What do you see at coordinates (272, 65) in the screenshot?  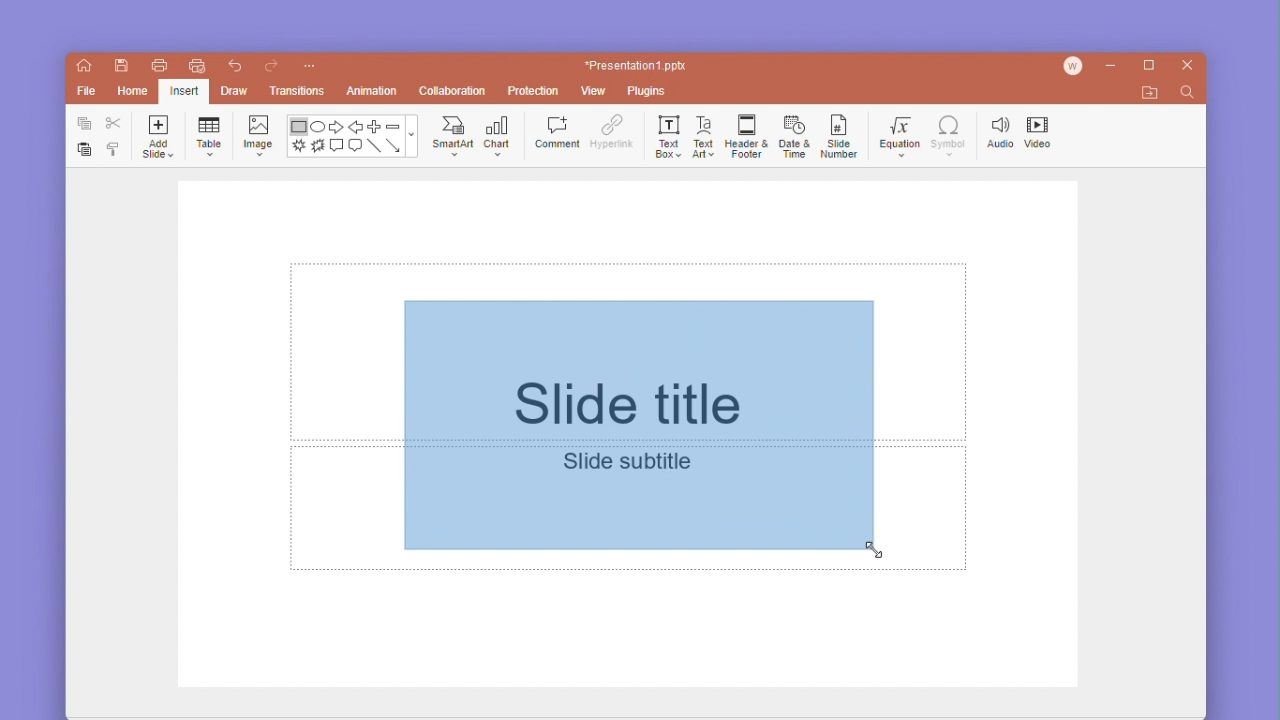 I see `redo` at bounding box center [272, 65].